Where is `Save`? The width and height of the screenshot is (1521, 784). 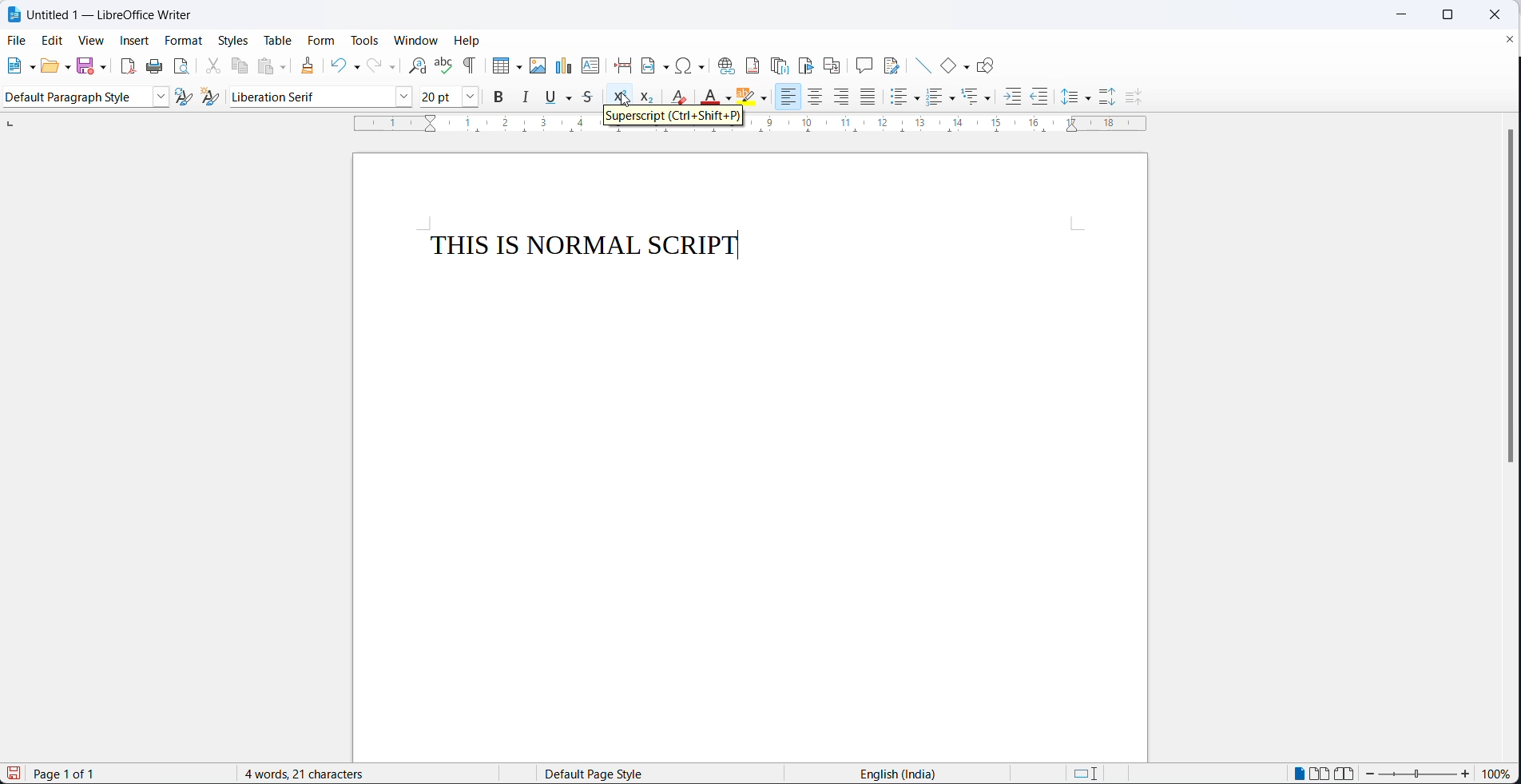
Save is located at coordinates (12, 774).